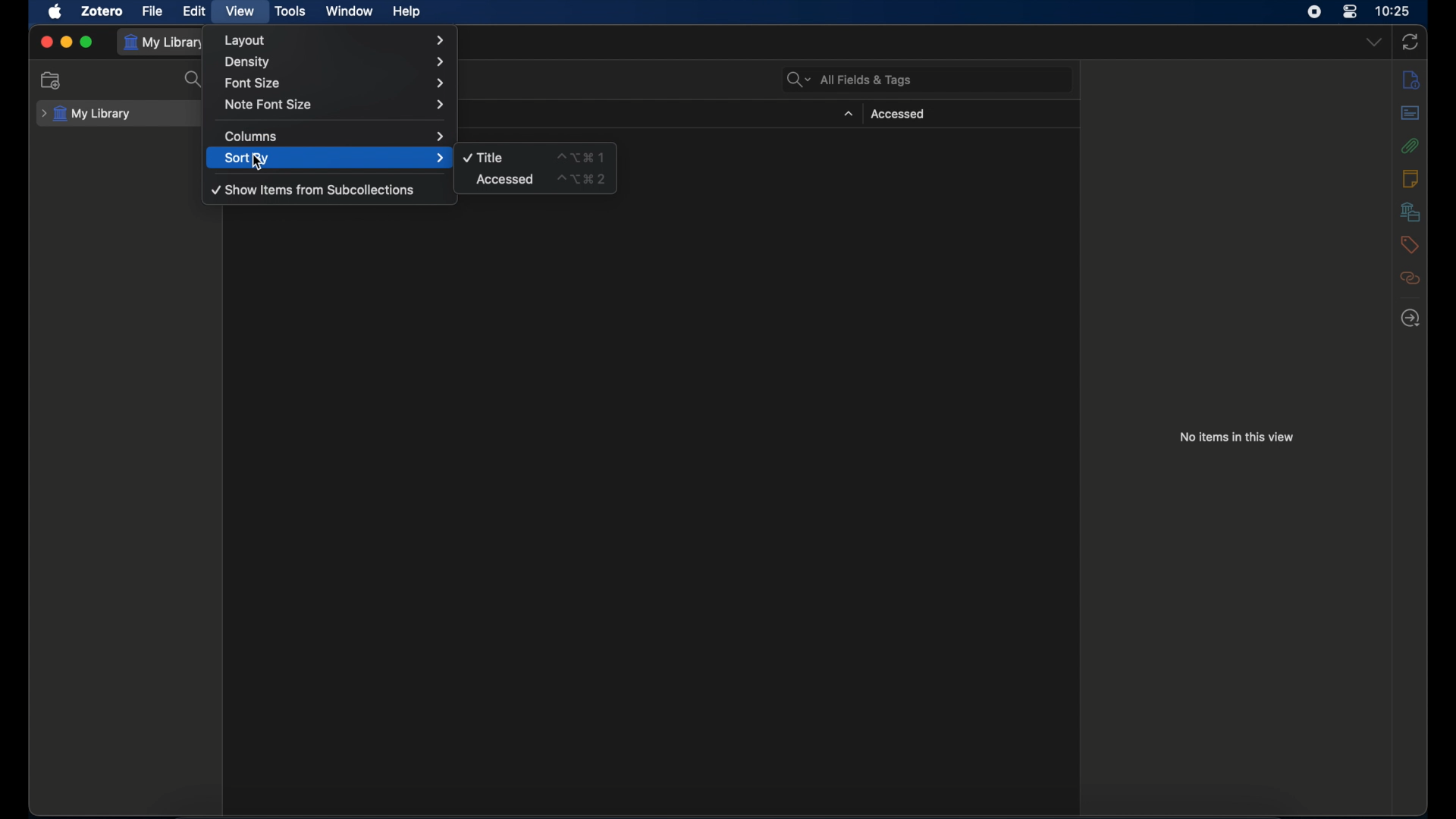 Image resolution: width=1456 pixels, height=819 pixels. What do you see at coordinates (1314, 11) in the screenshot?
I see `screen recorder` at bounding box center [1314, 11].